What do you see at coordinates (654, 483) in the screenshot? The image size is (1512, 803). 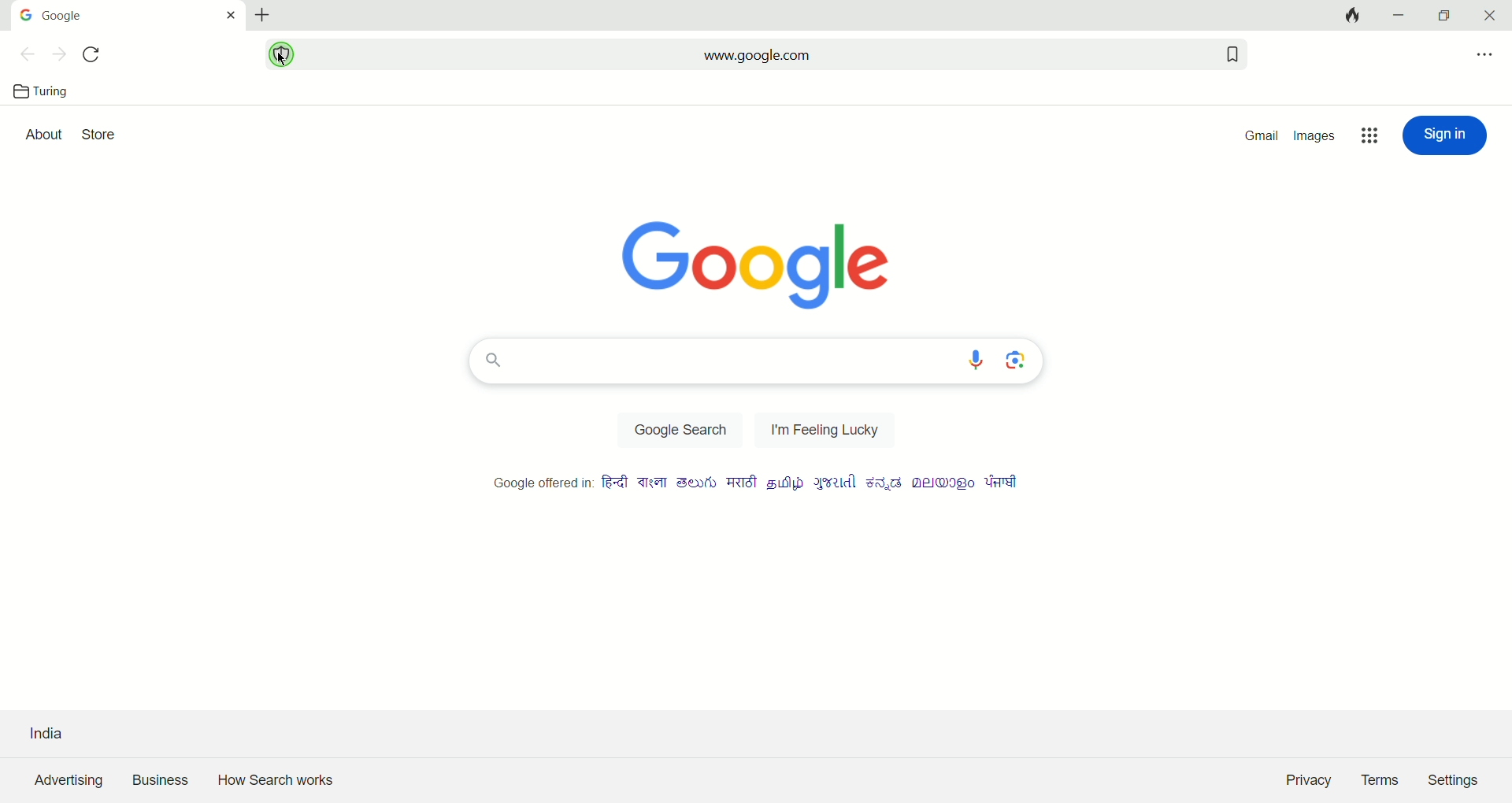 I see `language` at bounding box center [654, 483].